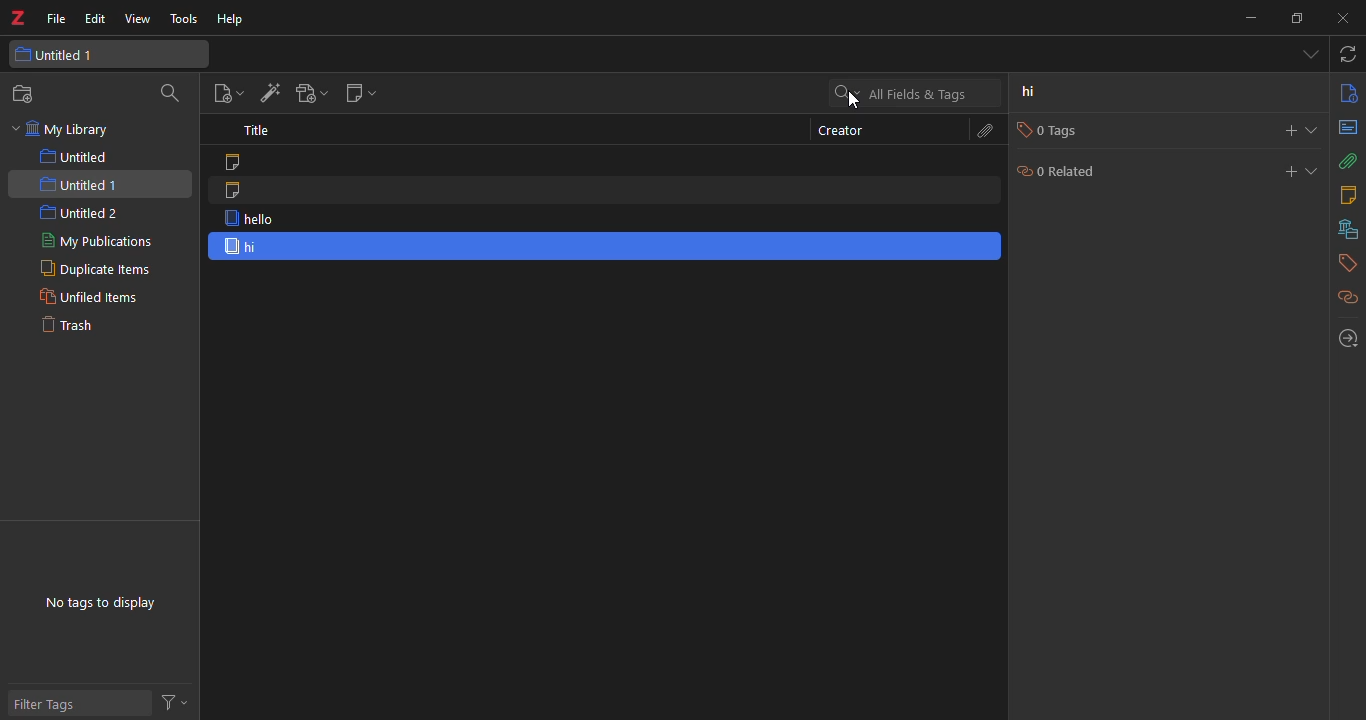  Describe the element at coordinates (63, 130) in the screenshot. I see `my library` at that location.